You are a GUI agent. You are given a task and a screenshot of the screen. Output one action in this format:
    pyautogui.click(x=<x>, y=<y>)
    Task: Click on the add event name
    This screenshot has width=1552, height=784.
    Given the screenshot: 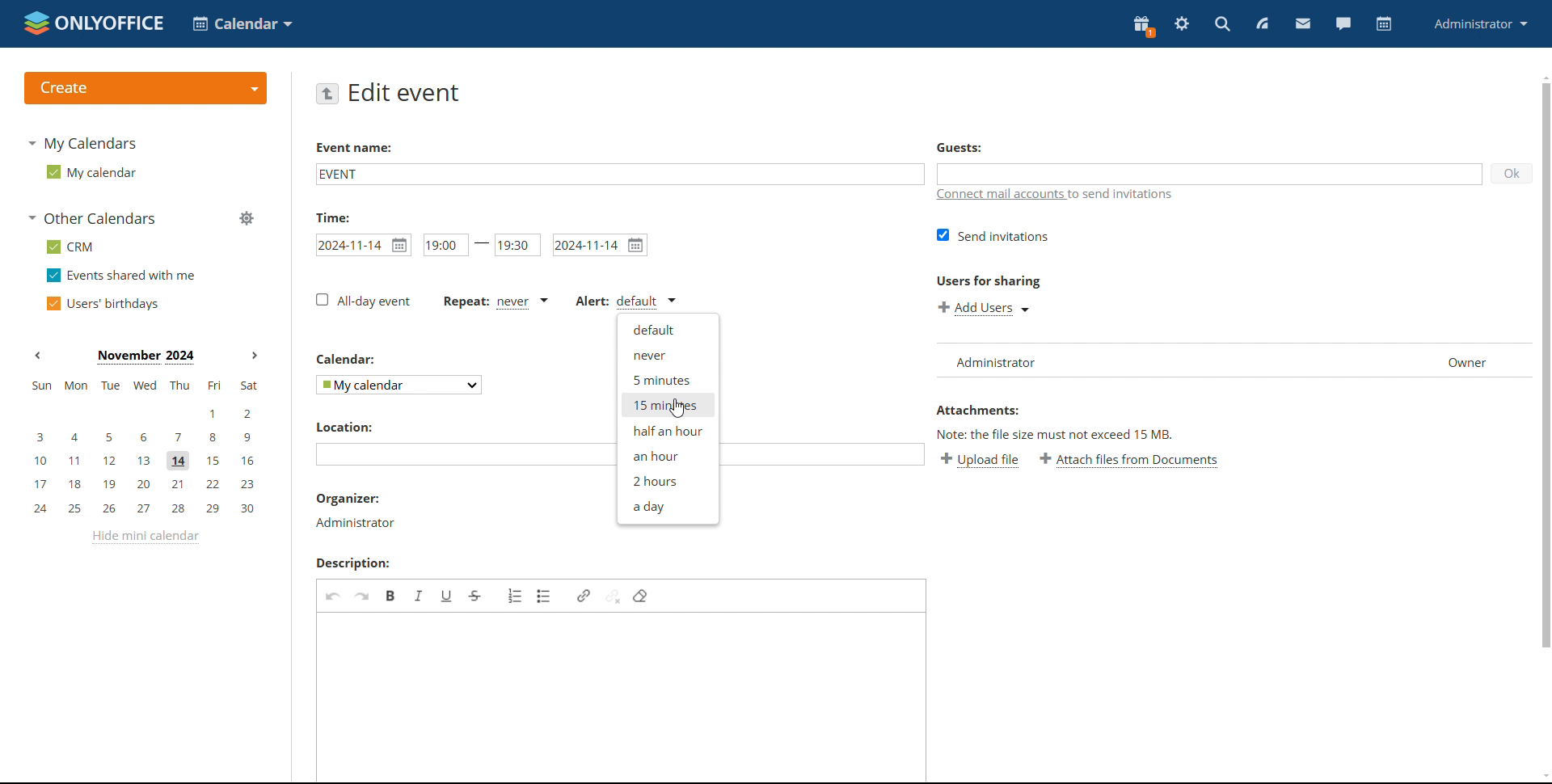 What is the action you would take?
    pyautogui.click(x=618, y=173)
    